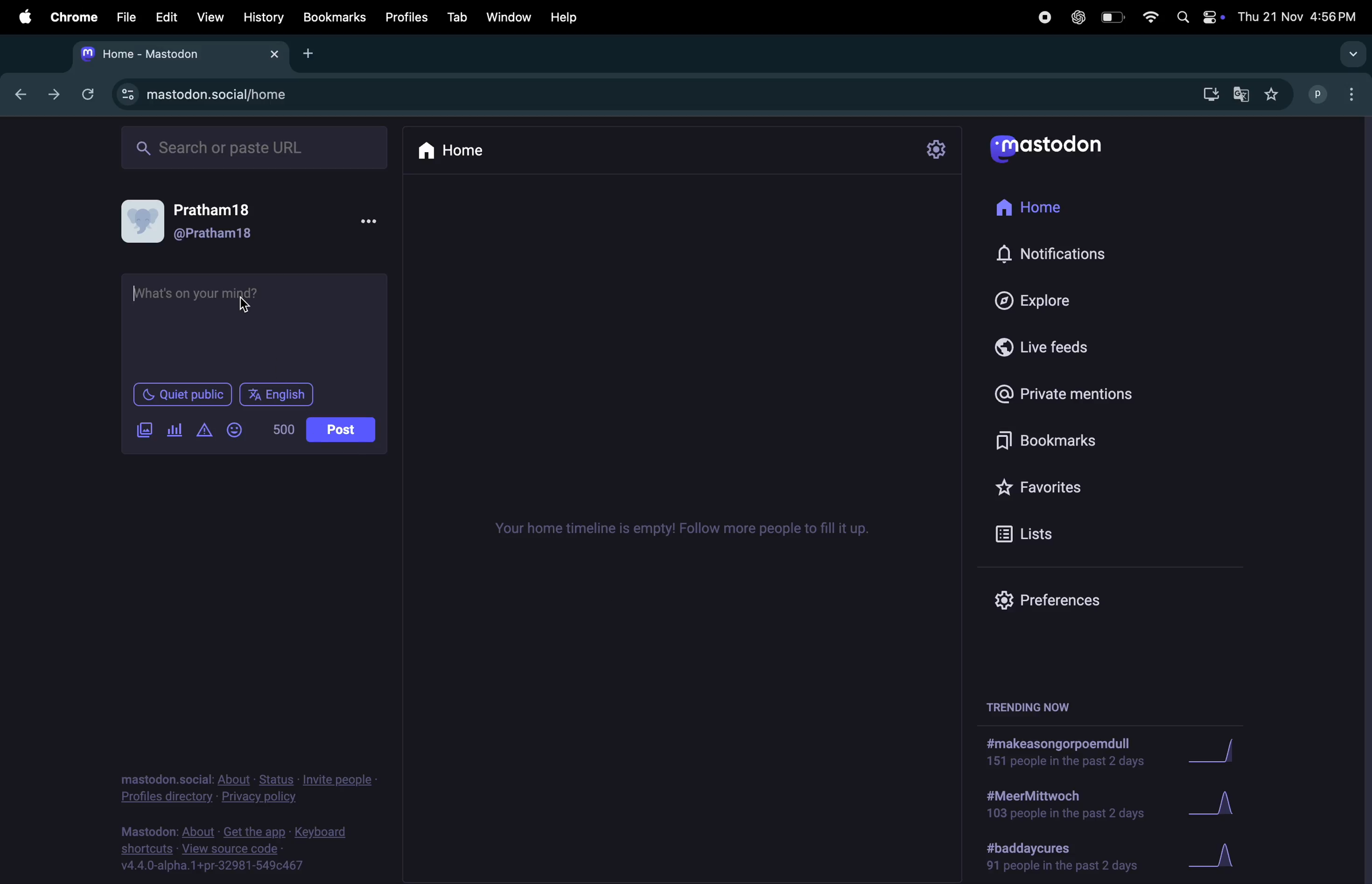 The image size is (1372, 884). I want to click on favourites, so click(1048, 490).